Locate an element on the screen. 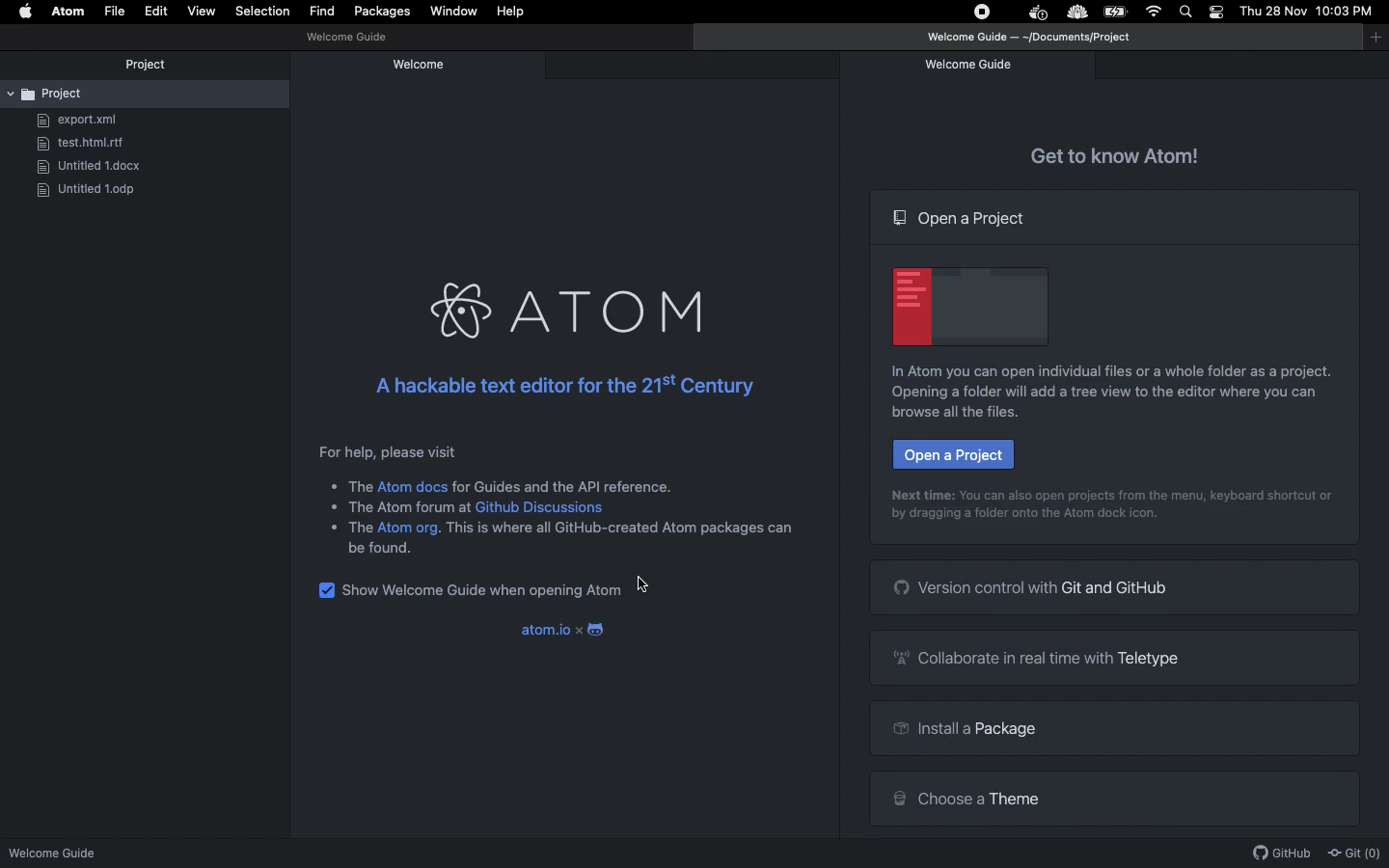 The image size is (1389, 868). Open a project is located at coordinates (951, 456).